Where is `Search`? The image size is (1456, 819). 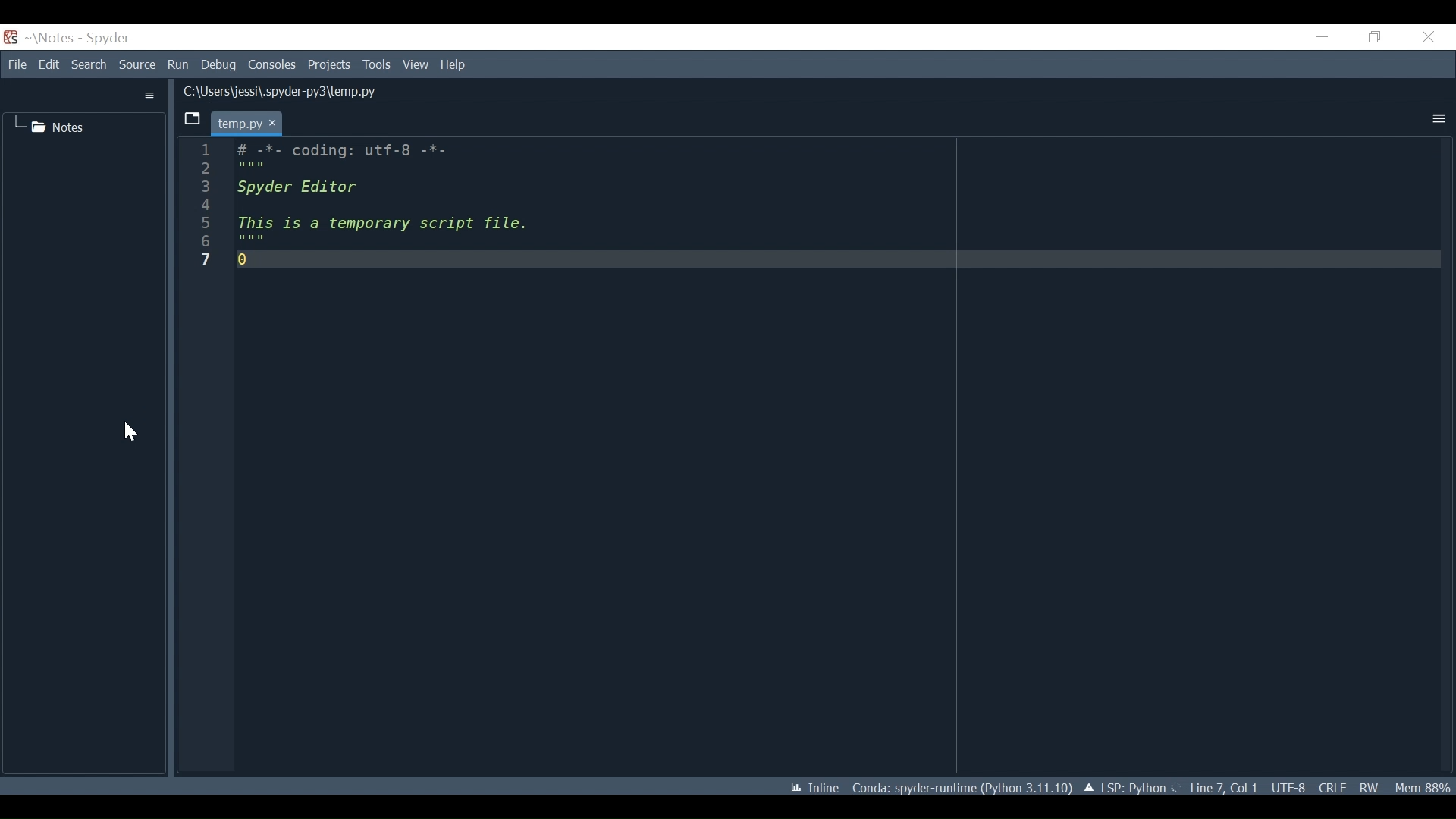
Search is located at coordinates (89, 65).